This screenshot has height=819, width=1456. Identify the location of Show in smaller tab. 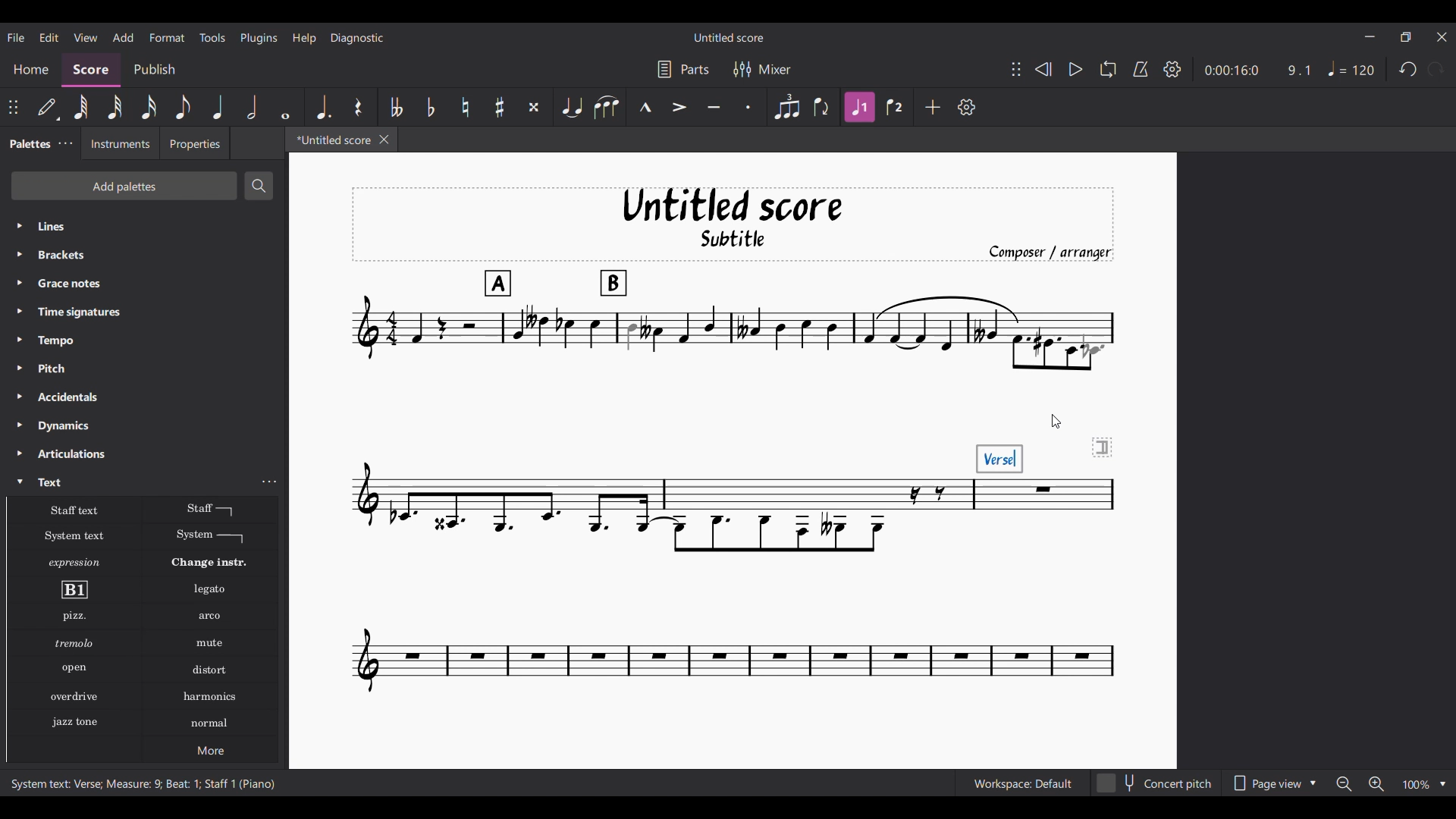
(1405, 37).